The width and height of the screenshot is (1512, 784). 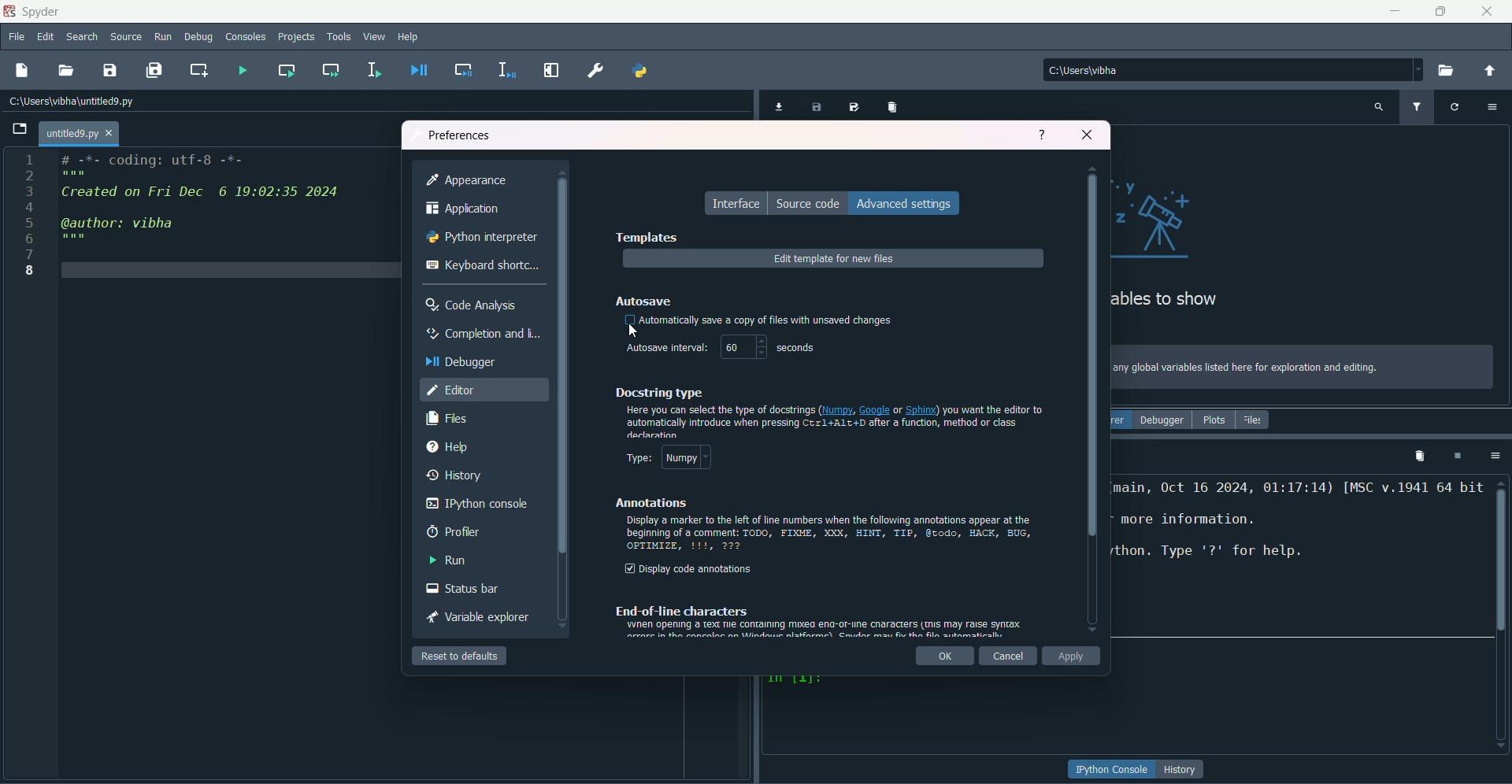 What do you see at coordinates (483, 238) in the screenshot?
I see `python interpreter` at bounding box center [483, 238].